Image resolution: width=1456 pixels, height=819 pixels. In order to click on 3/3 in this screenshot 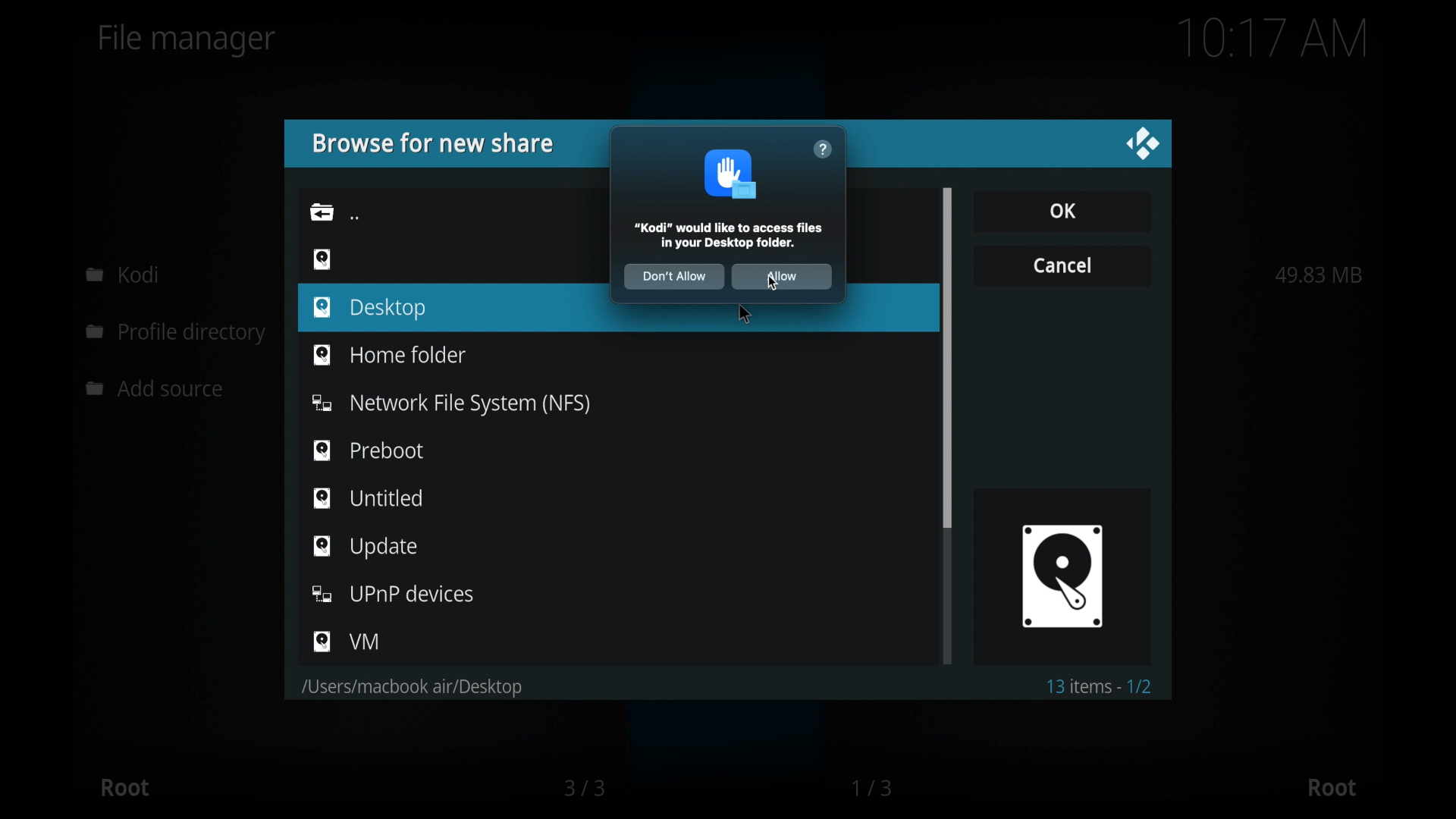, I will do `click(583, 788)`.